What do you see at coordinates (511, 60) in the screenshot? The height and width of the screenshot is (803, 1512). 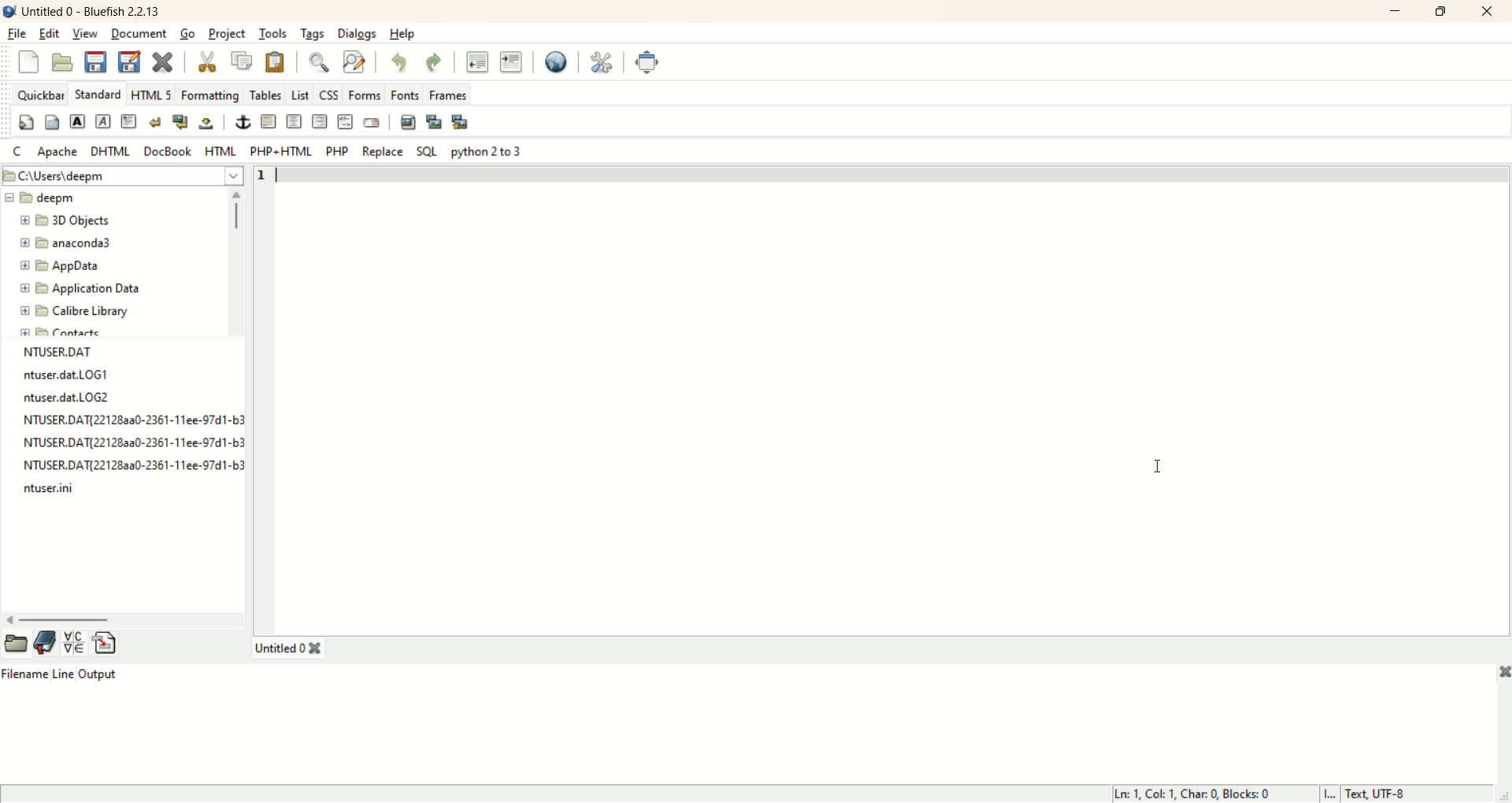 I see `indent` at bounding box center [511, 60].